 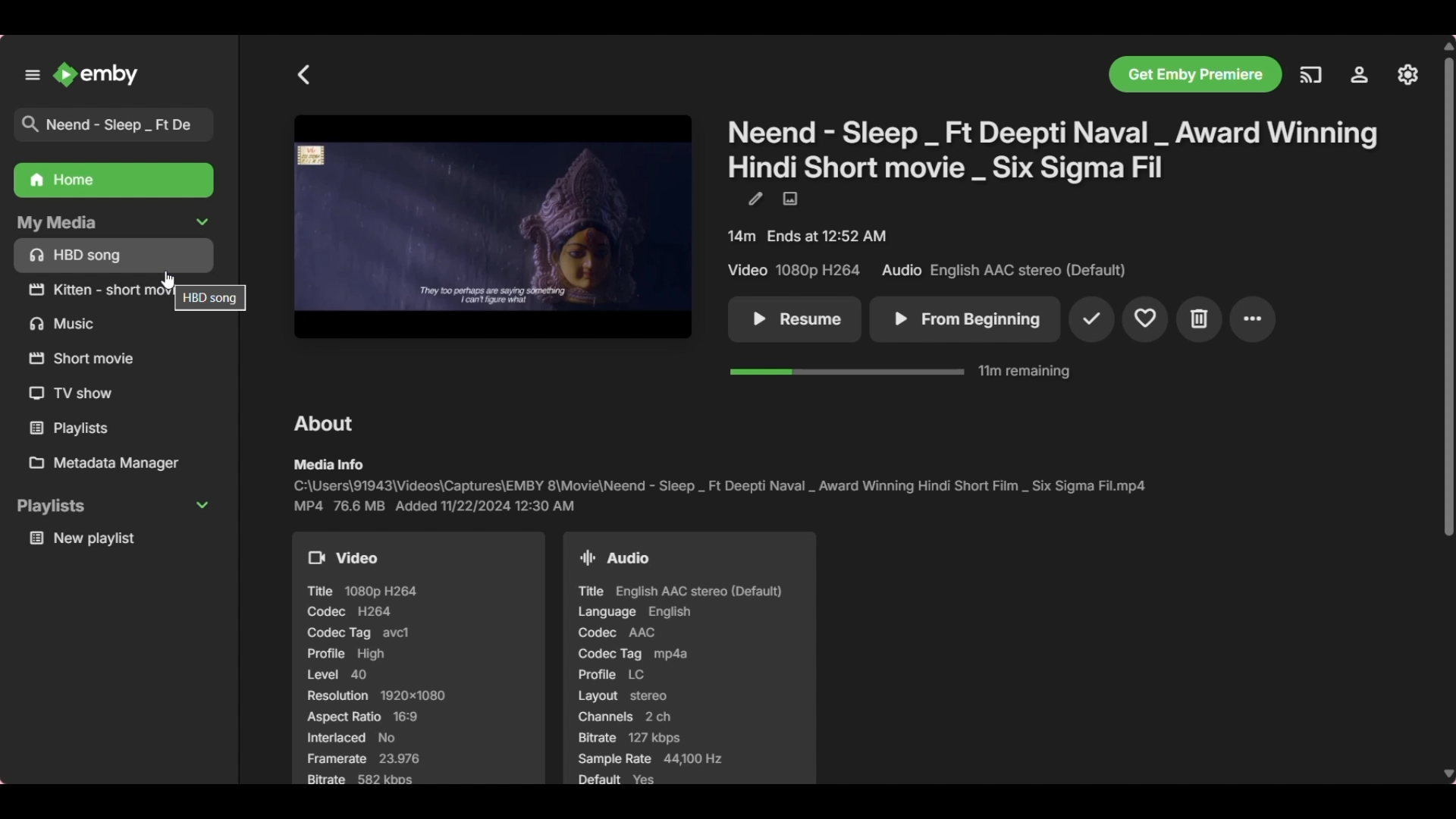 What do you see at coordinates (305, 74) in the screenshot?
I see `Go back` at bounding box center [305, 74].